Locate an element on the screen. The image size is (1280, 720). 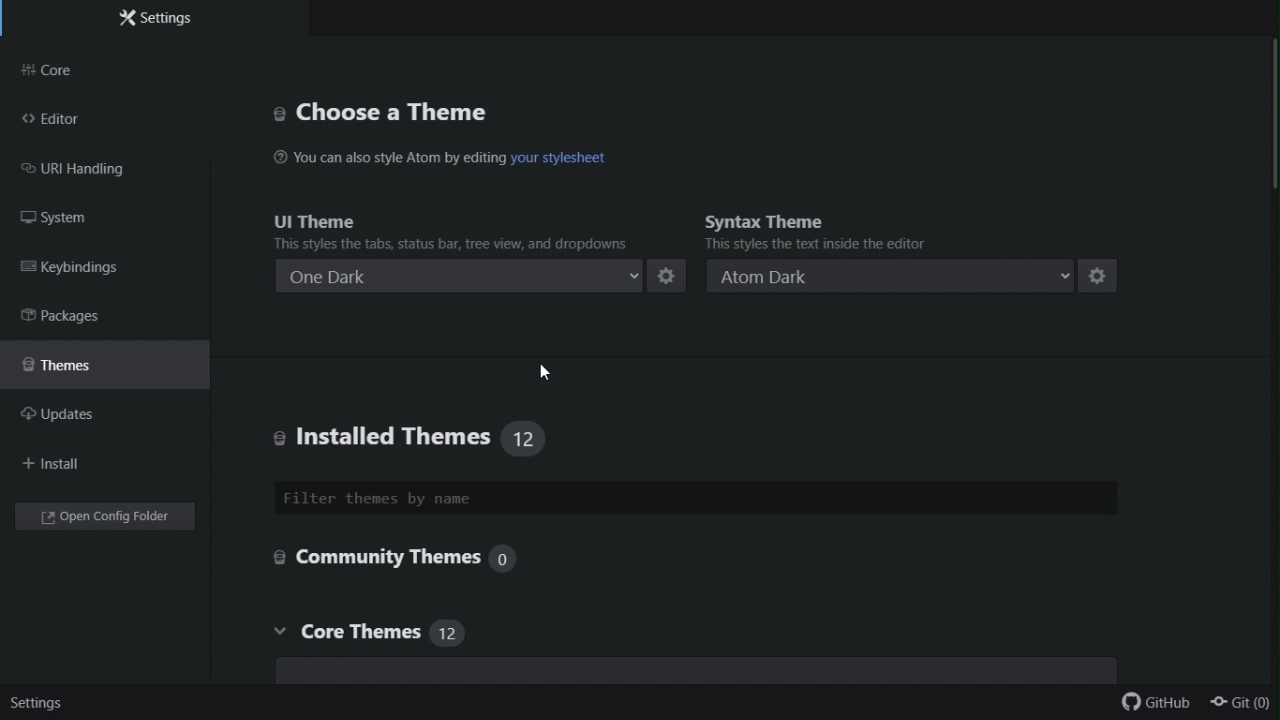
Syntax theme is located at coordinates (878, 235).